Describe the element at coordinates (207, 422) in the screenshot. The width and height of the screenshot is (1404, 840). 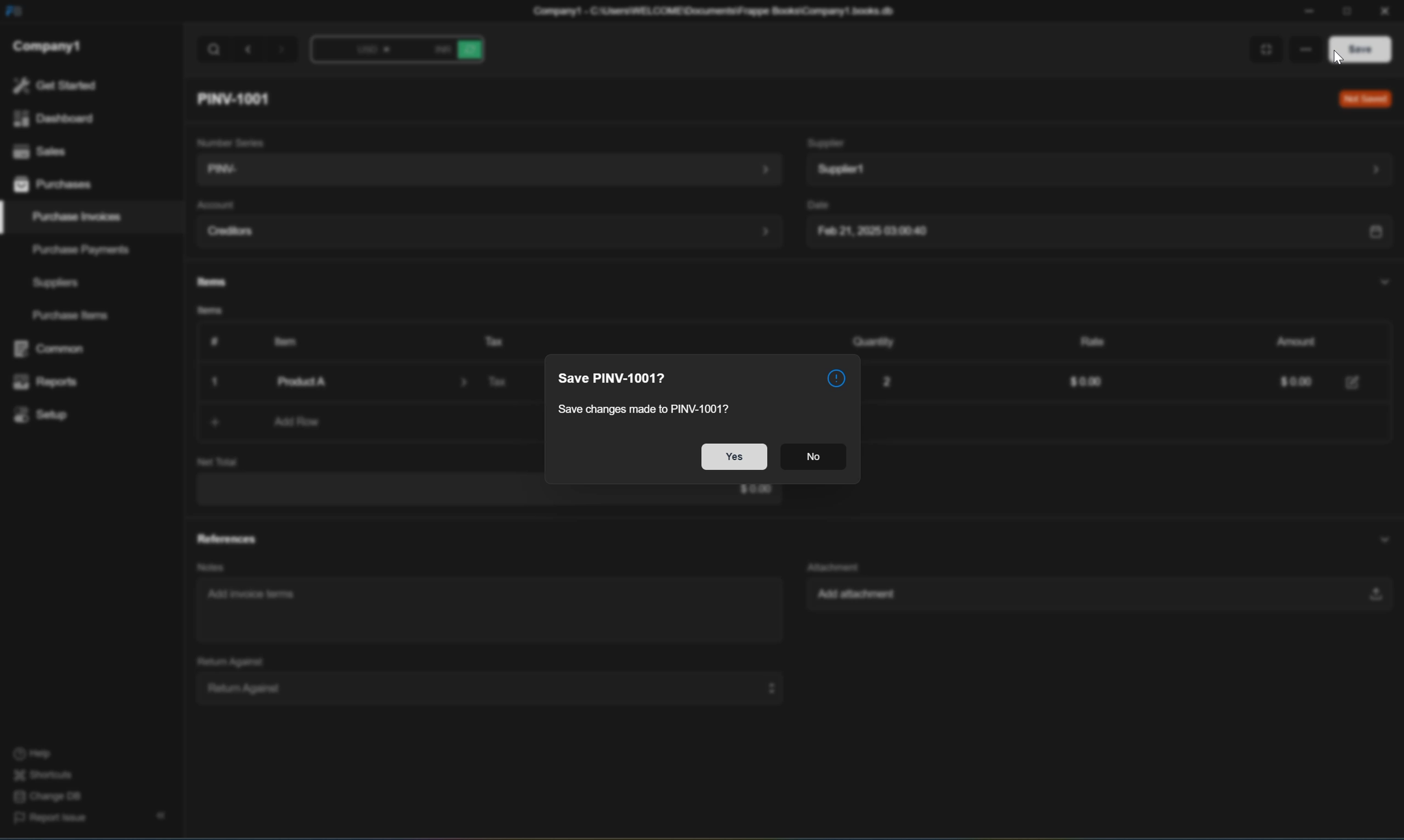
I see `Add` at that location.